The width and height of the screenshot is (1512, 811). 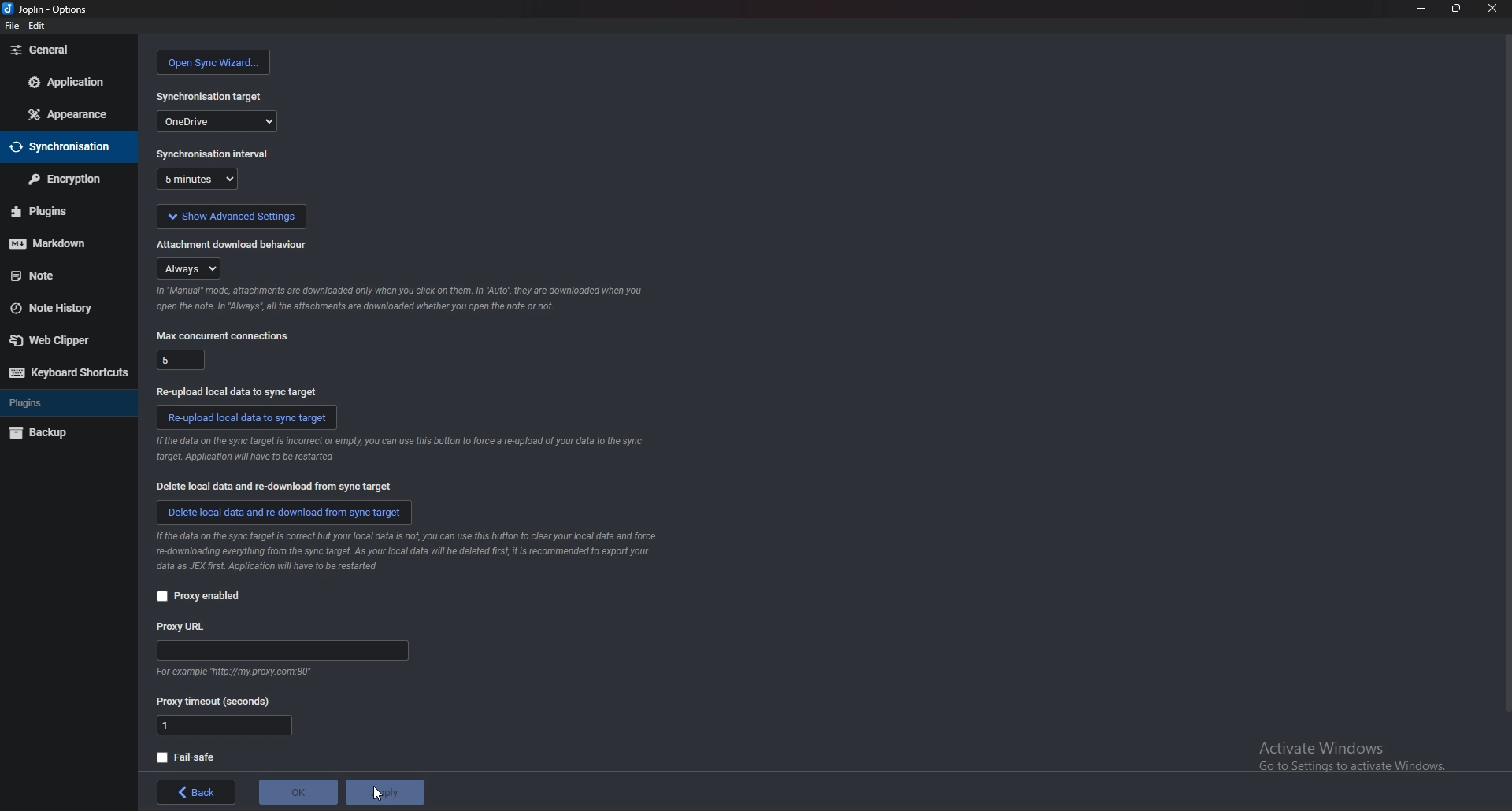 I want to click on info, so click(x=398, y=449).